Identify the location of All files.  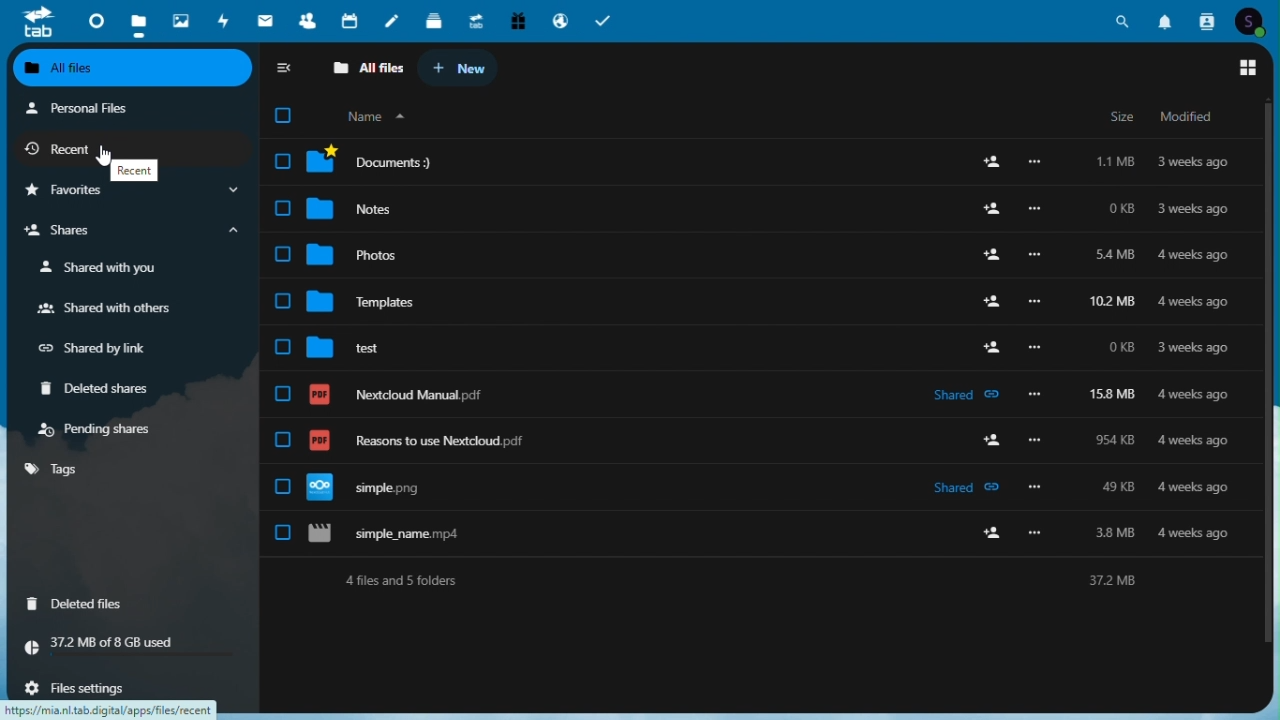
(371, 67).